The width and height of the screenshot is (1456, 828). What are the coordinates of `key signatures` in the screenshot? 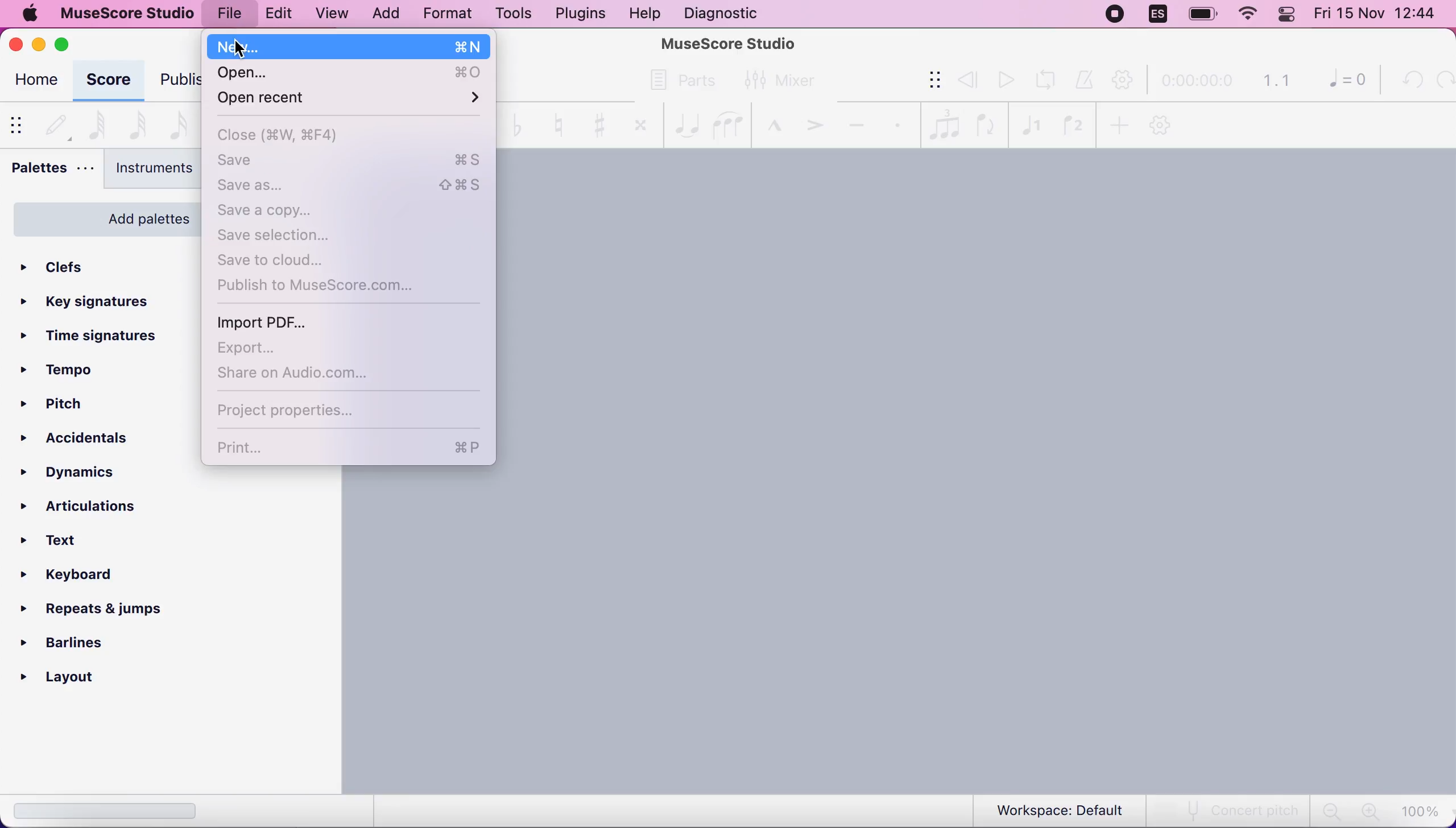 It's located at (112, 299).